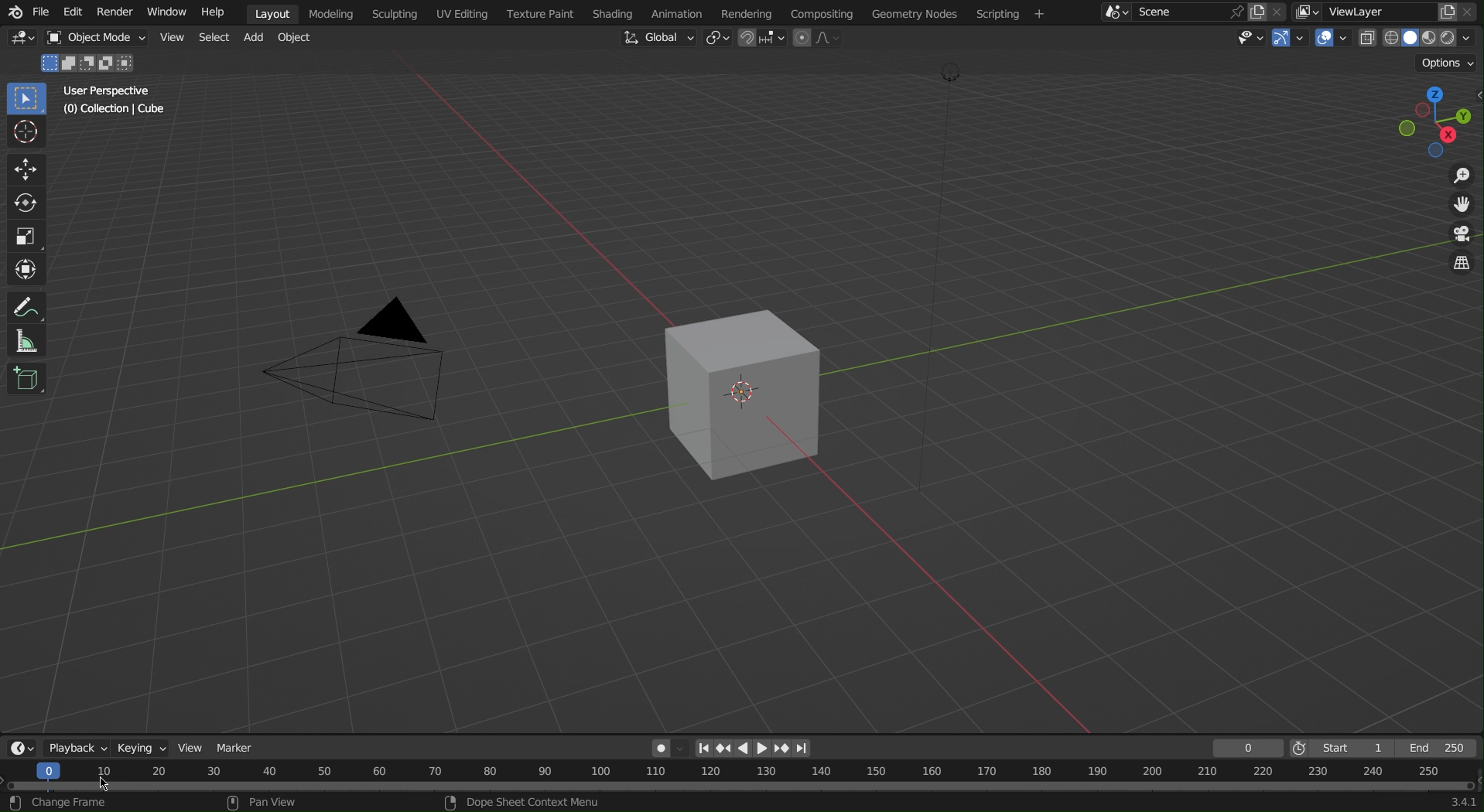 This screenshot has width=1484, height=812. What do you see at coordinates (216, 38) in the screenshot?
I see `Select` at bounding box center [216, 38].